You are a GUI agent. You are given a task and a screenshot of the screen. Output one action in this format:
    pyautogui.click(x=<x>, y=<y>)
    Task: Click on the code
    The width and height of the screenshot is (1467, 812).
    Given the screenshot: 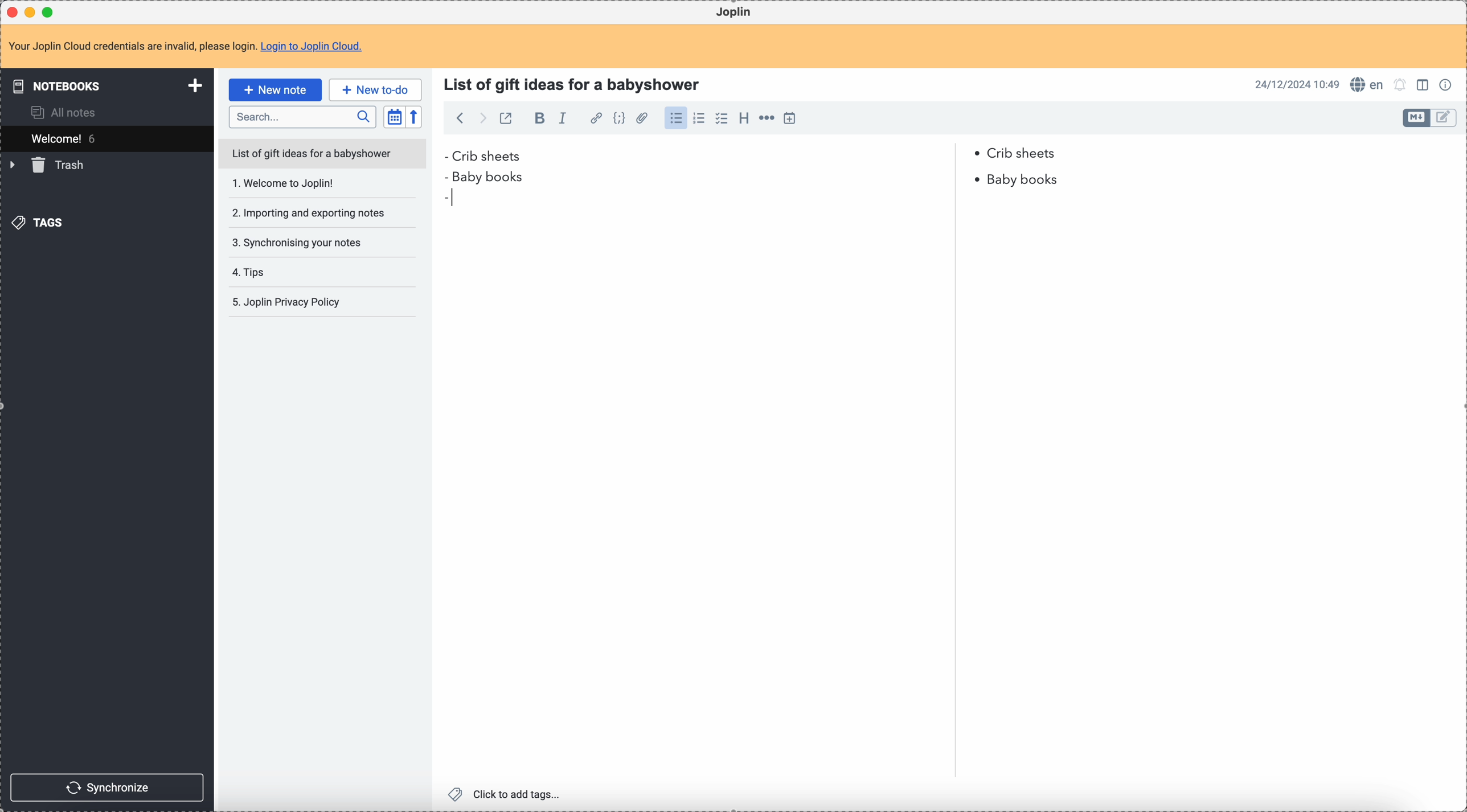 What is the action you would take?
    pyautogui.click(x=621, y=119)
    